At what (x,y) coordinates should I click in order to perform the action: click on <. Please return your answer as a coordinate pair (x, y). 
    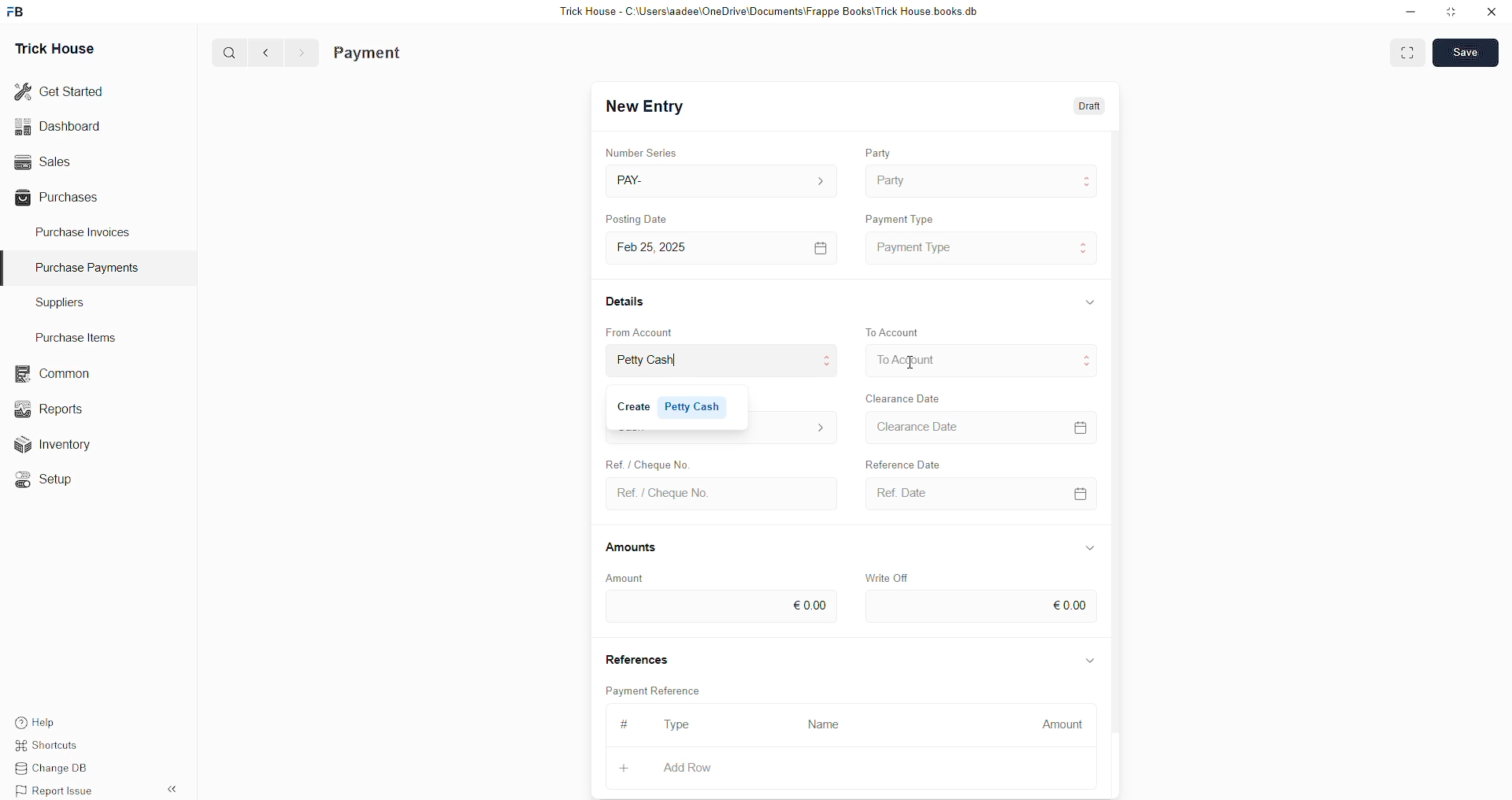
    Looking at the image, I should click on (262, 52).